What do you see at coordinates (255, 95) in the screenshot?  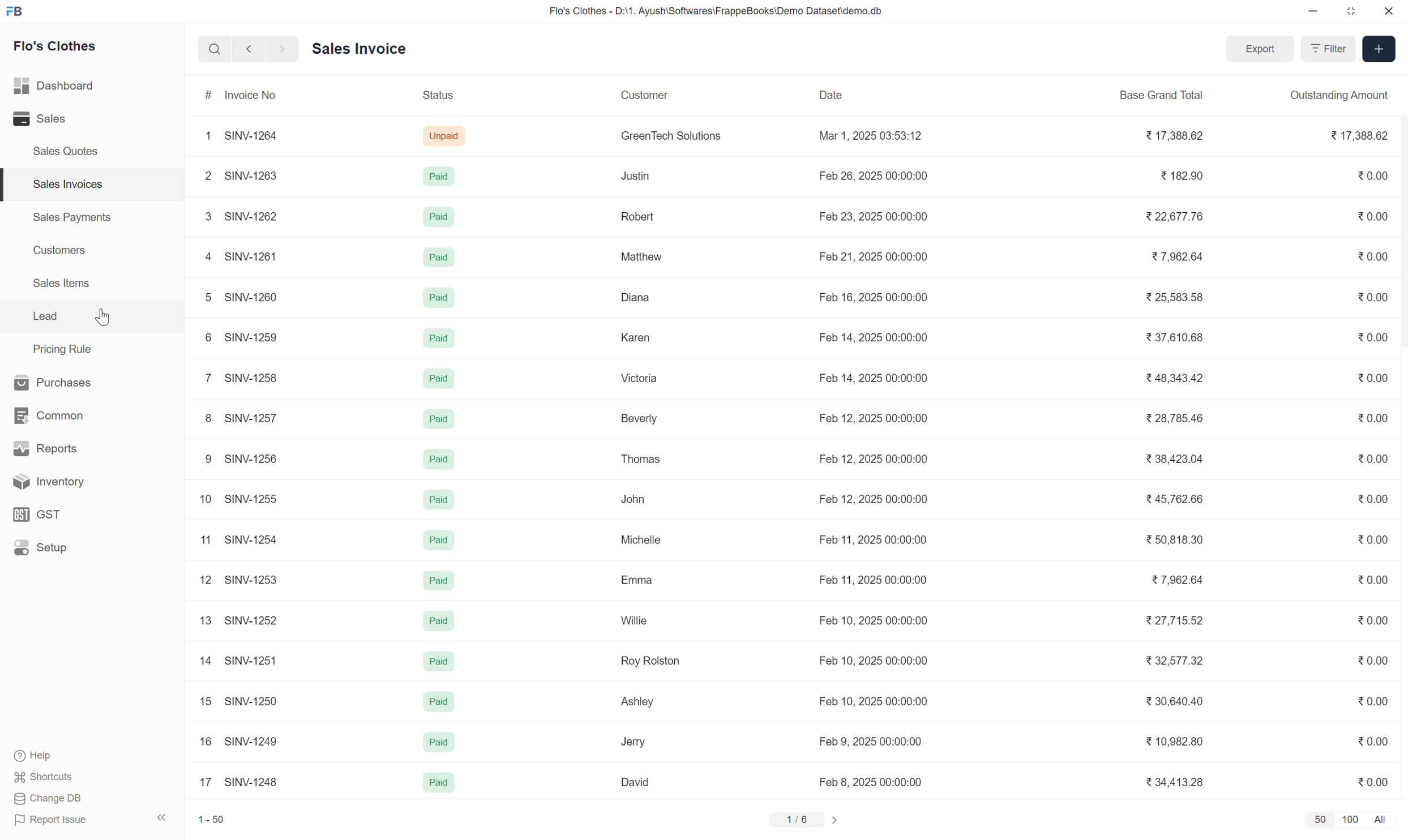 I see `Invoice No` at bounding box center [255, 95].